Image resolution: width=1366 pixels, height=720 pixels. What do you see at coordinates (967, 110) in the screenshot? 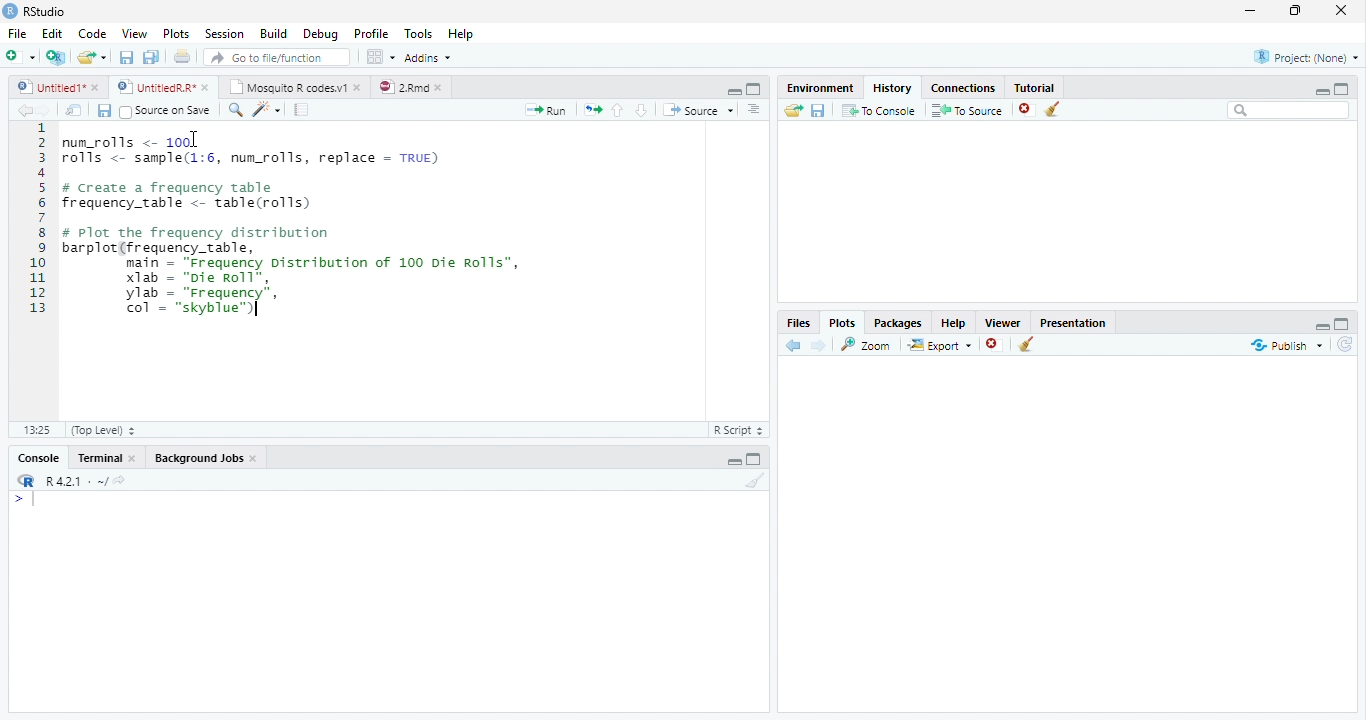
I see `To Source` at bounding box center [967, 110].